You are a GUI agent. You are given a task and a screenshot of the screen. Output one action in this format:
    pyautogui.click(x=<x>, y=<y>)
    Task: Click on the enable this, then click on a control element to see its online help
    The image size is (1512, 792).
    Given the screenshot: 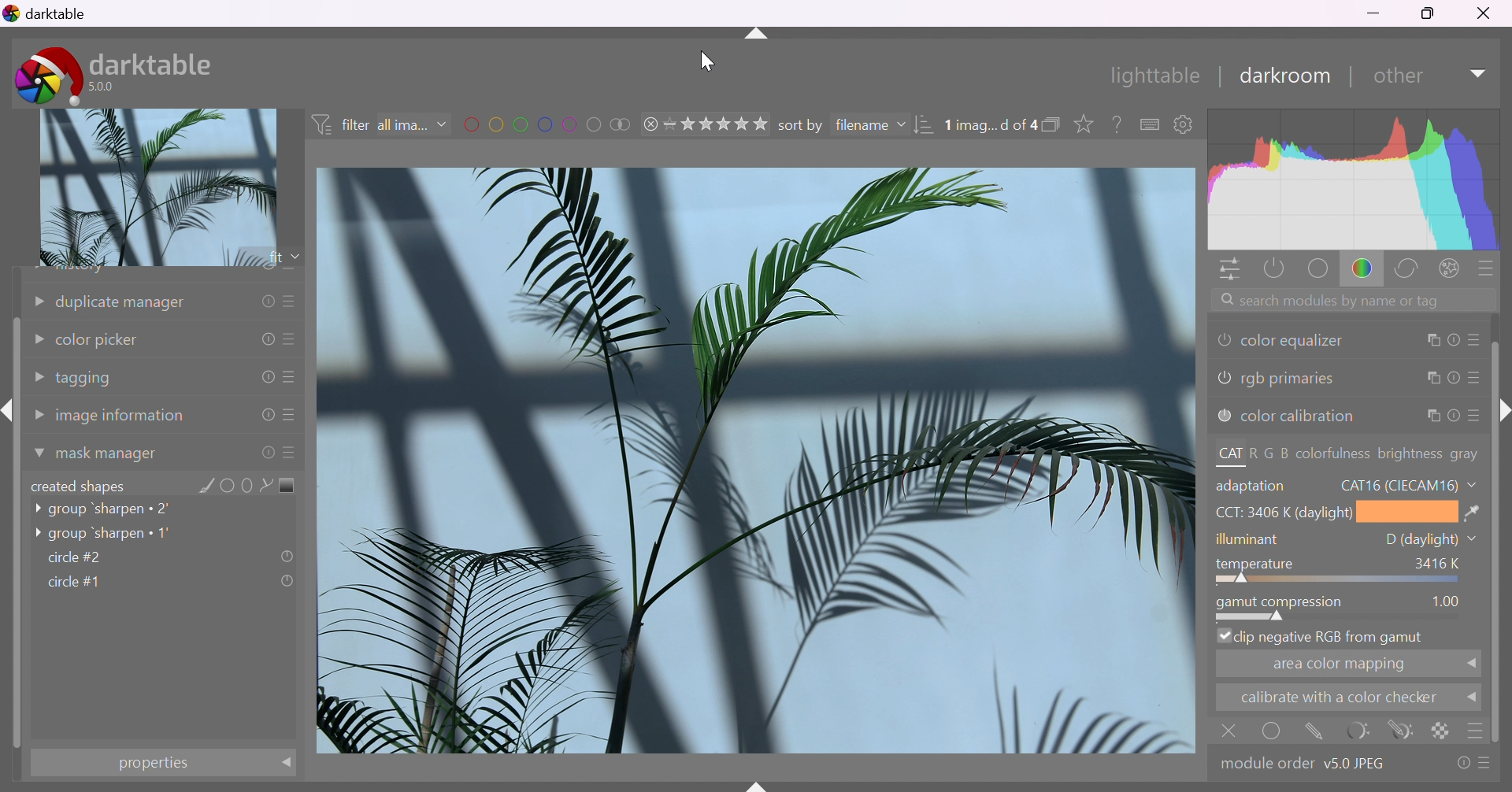 What is the action you would take?
    pyautogui.click(x=1116, y=125)
    